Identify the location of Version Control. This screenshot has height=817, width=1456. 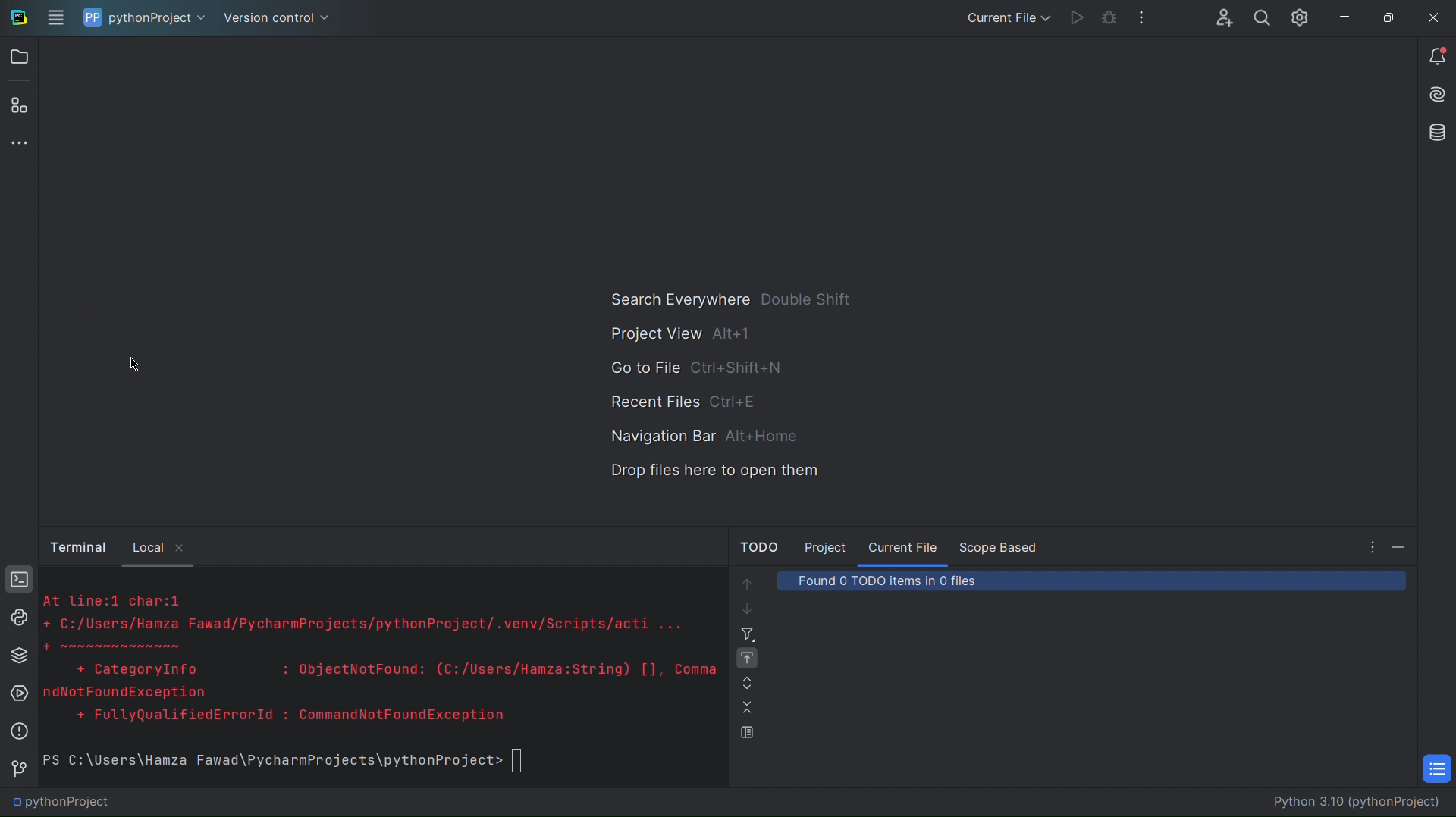
(279, 19).